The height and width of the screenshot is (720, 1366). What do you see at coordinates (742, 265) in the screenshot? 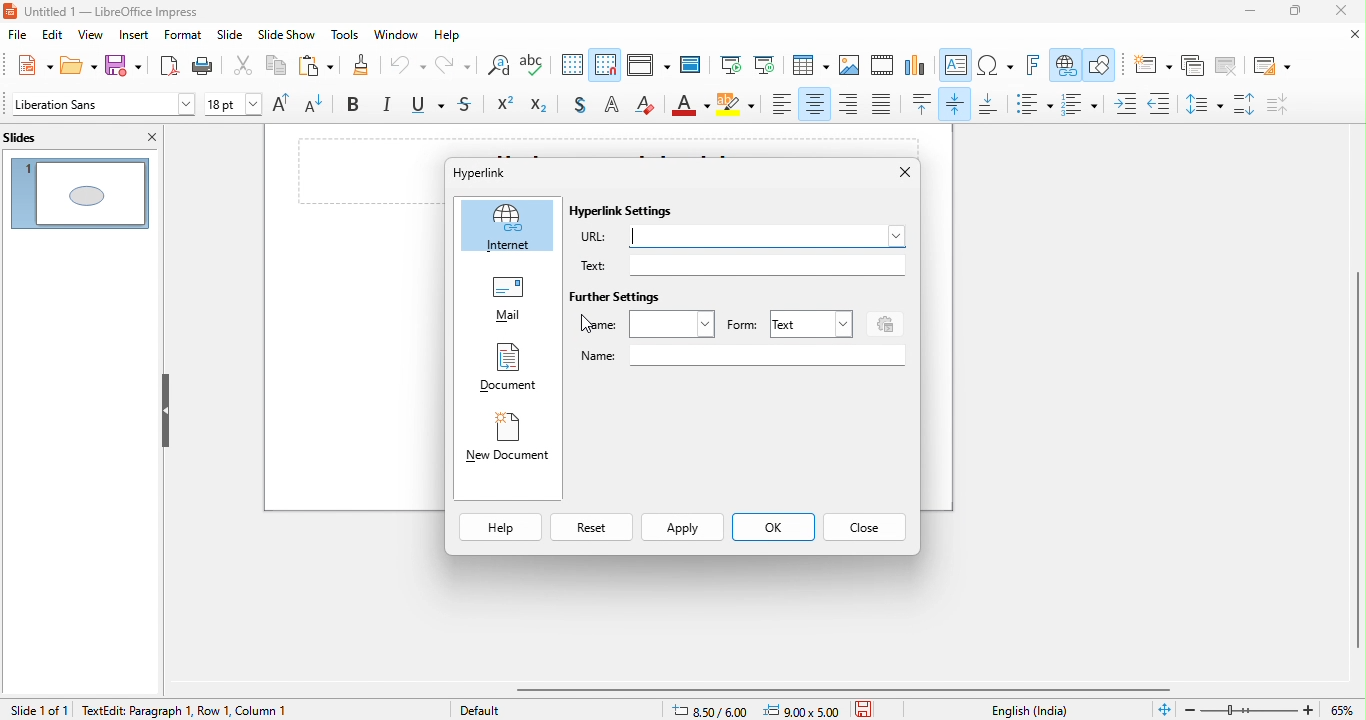
I see `text` at bounding box center [742, 265].